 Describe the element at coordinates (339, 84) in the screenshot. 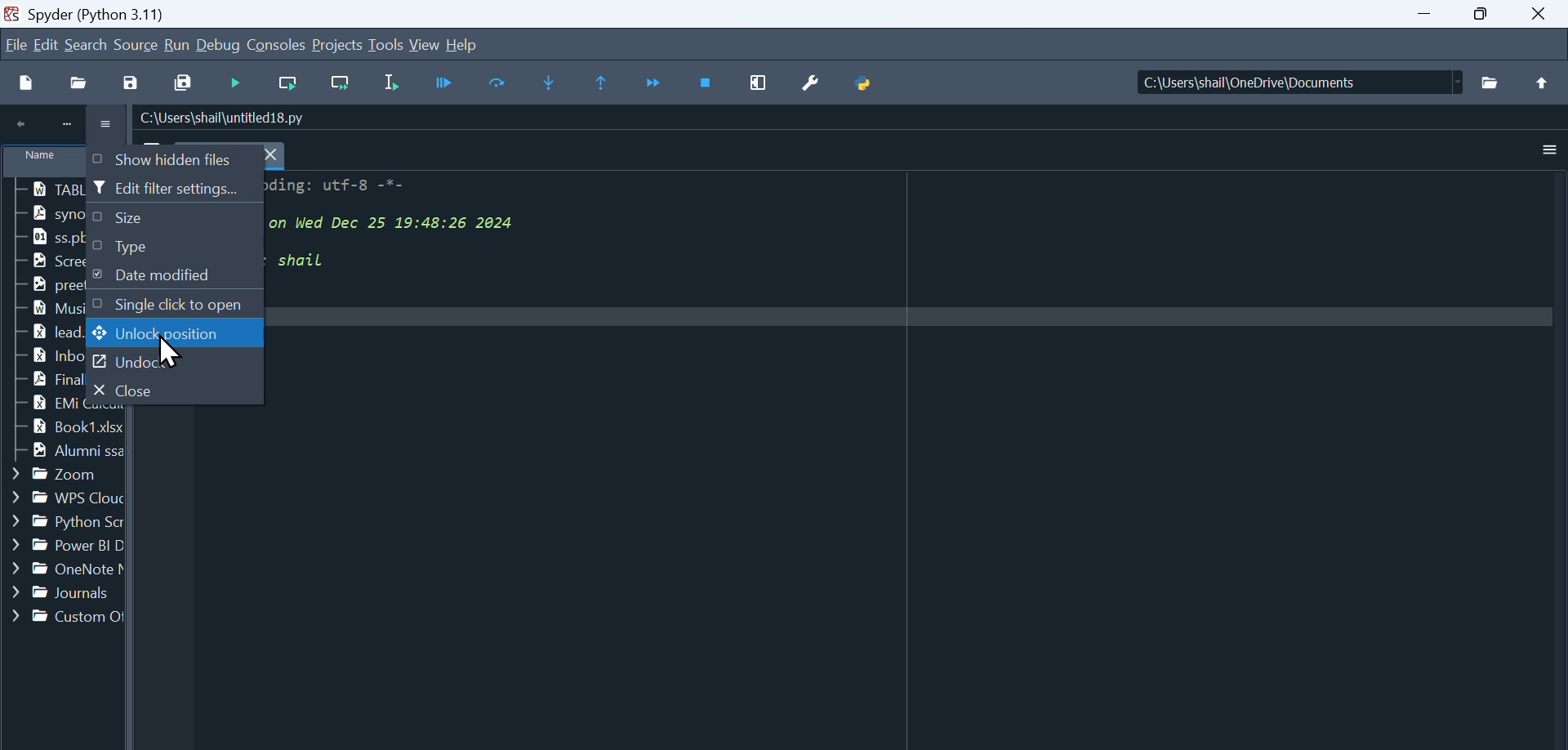

I see `Run current file and go to the next one` at that location.